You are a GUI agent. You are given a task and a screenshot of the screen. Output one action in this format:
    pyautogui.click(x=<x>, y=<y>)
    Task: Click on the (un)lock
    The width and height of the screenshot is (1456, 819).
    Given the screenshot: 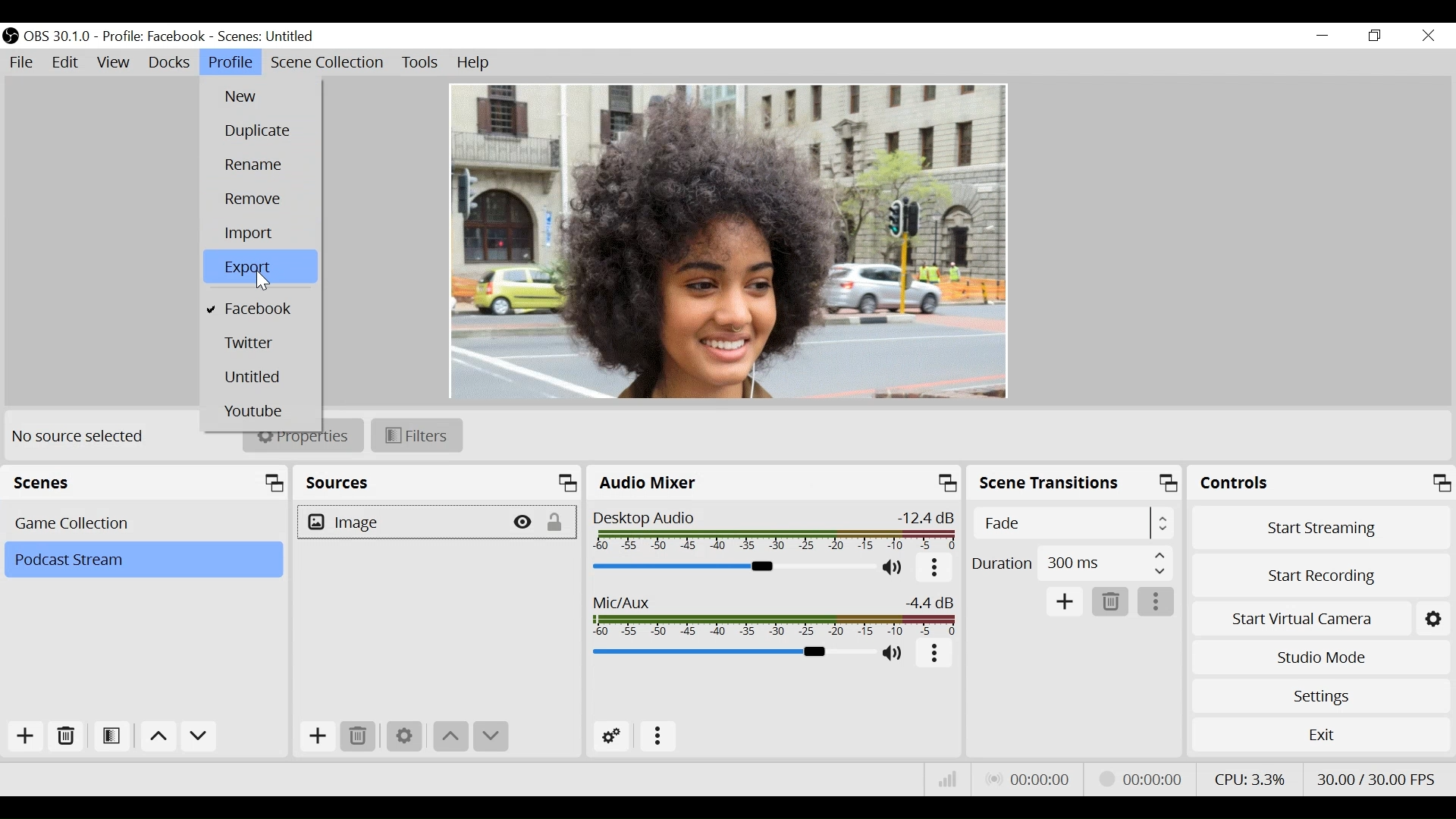 What is the action you would take?
    pyautogui.click(x=560, y=522)
    